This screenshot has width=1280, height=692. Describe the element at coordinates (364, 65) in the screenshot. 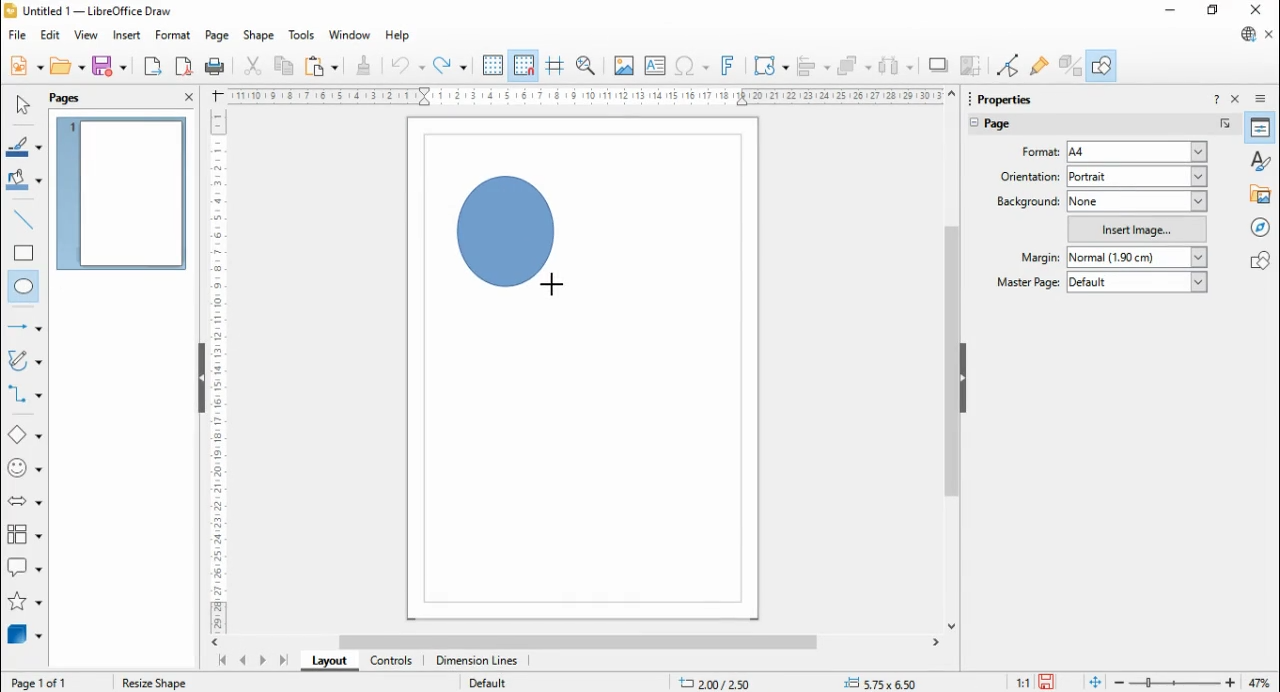

I see `clone formatting` at that location.